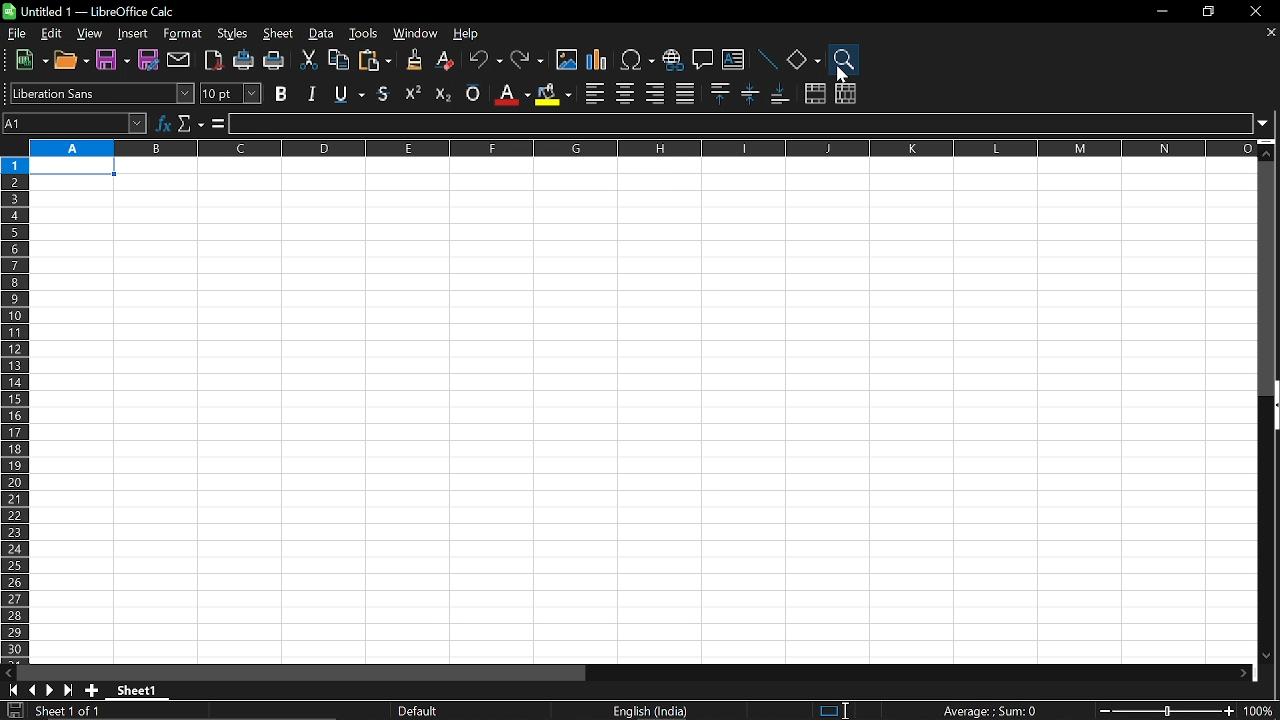  I want to click on add sheet, so click(90, 690).